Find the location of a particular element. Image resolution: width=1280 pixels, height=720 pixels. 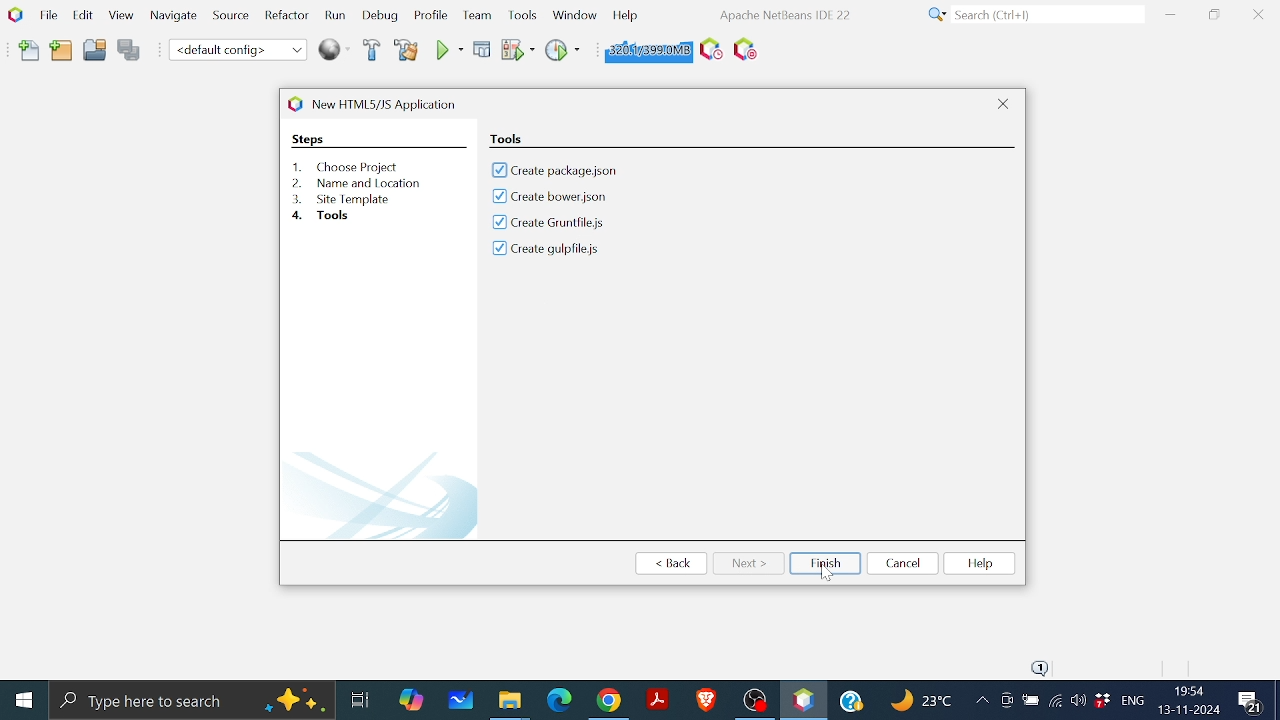

Click to force garbage collection is located at coordinates (646, 49).